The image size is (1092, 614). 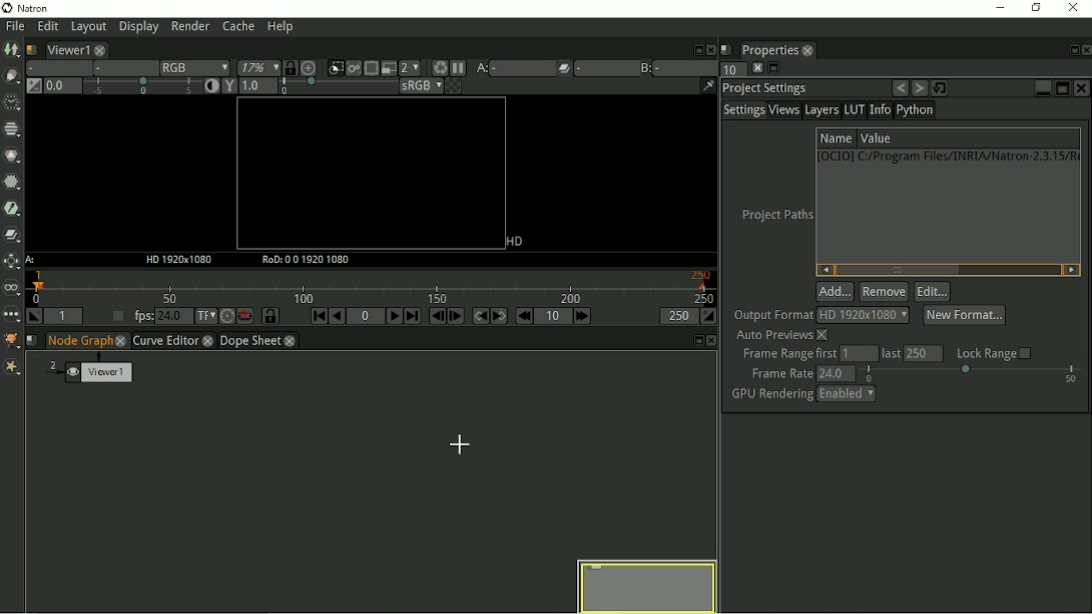 I want to click on Render, so click(x=193, y=27).